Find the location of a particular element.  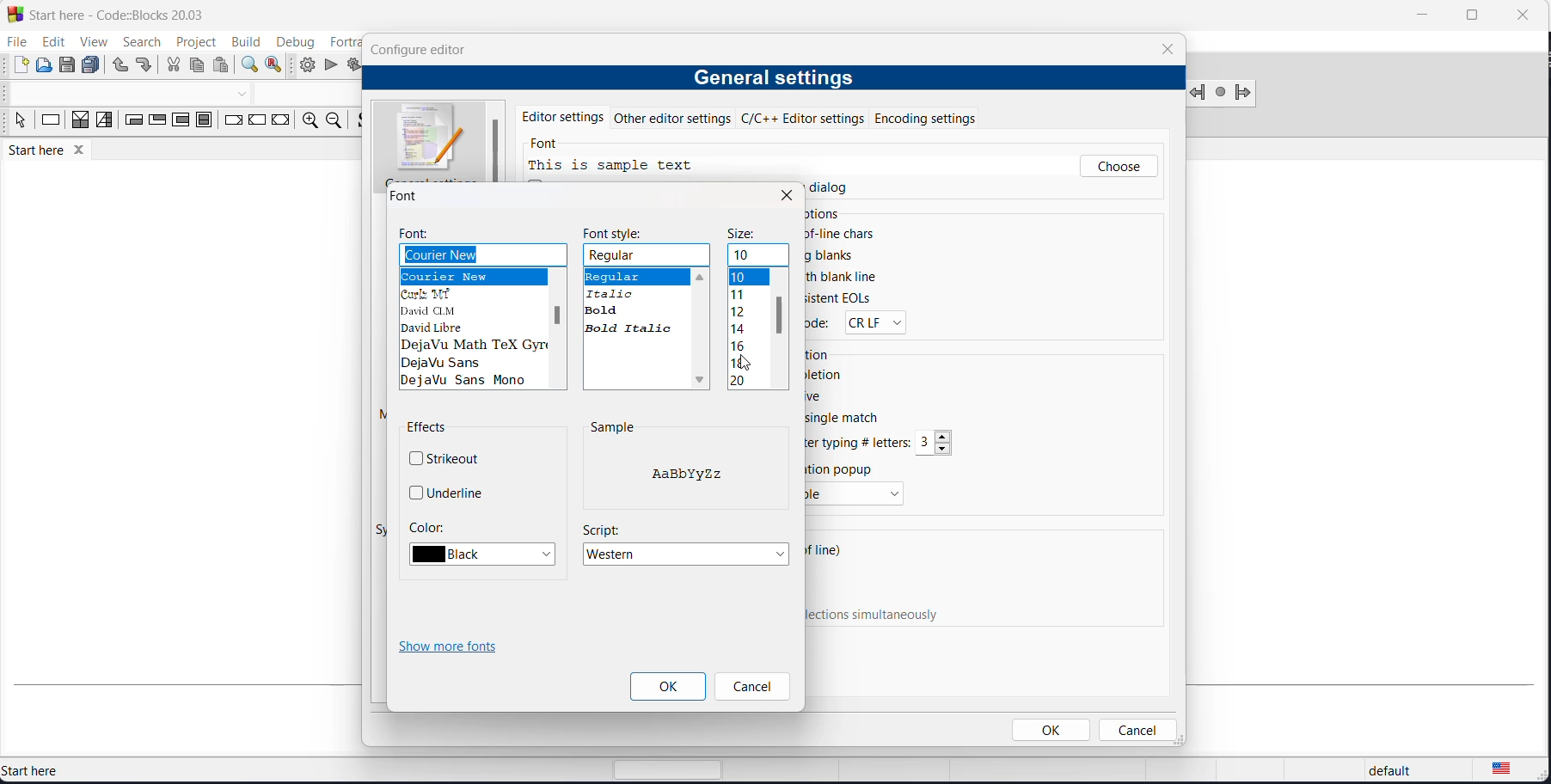

script dropdown button is located at coordinates (689, 555).